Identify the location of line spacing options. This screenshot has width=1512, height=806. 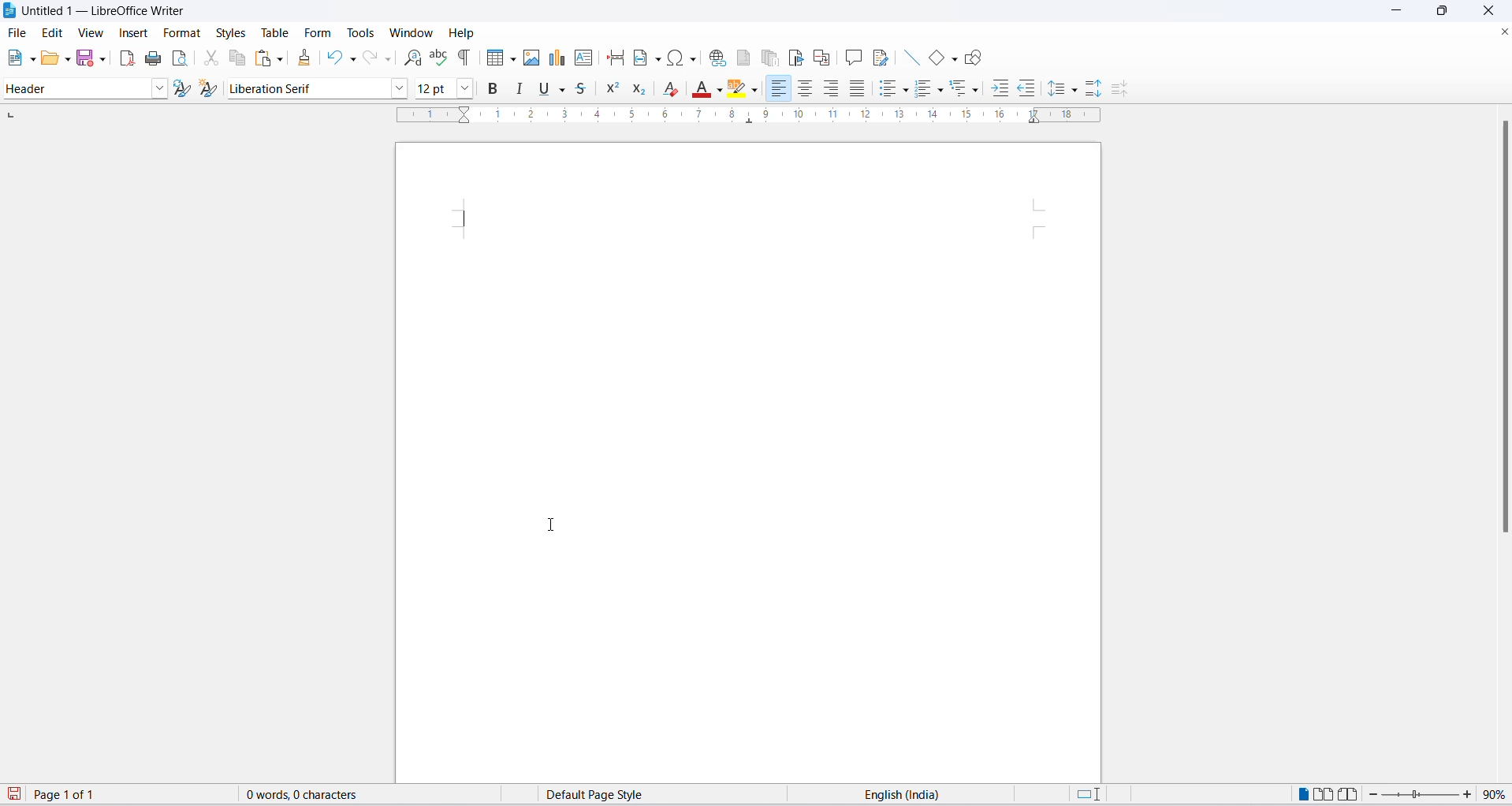
(1077, 93).